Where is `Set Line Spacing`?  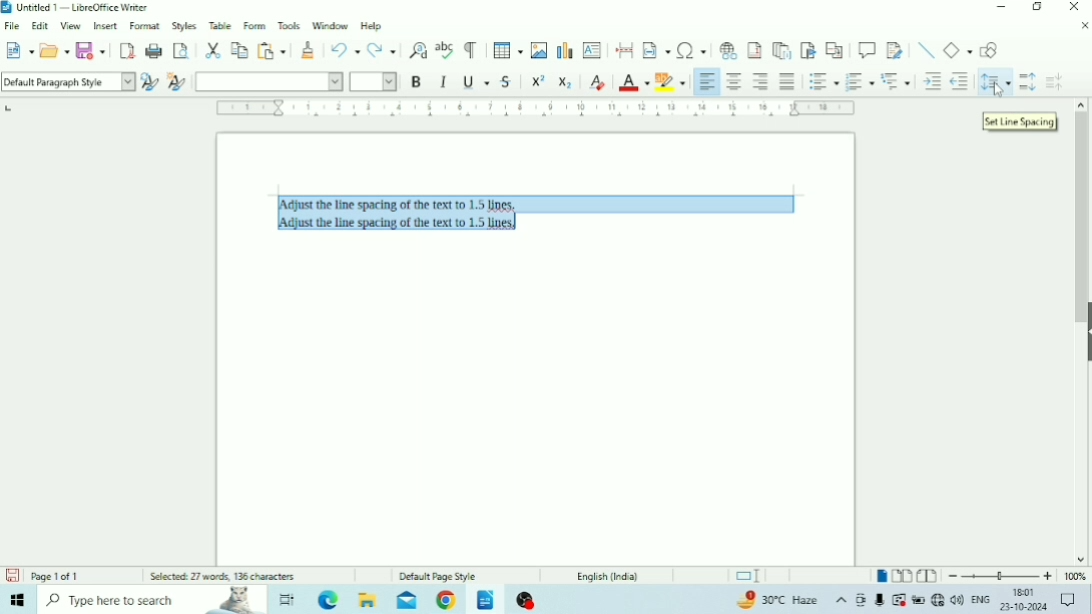
Set Line Spacing is located at coordinates (995, 82).